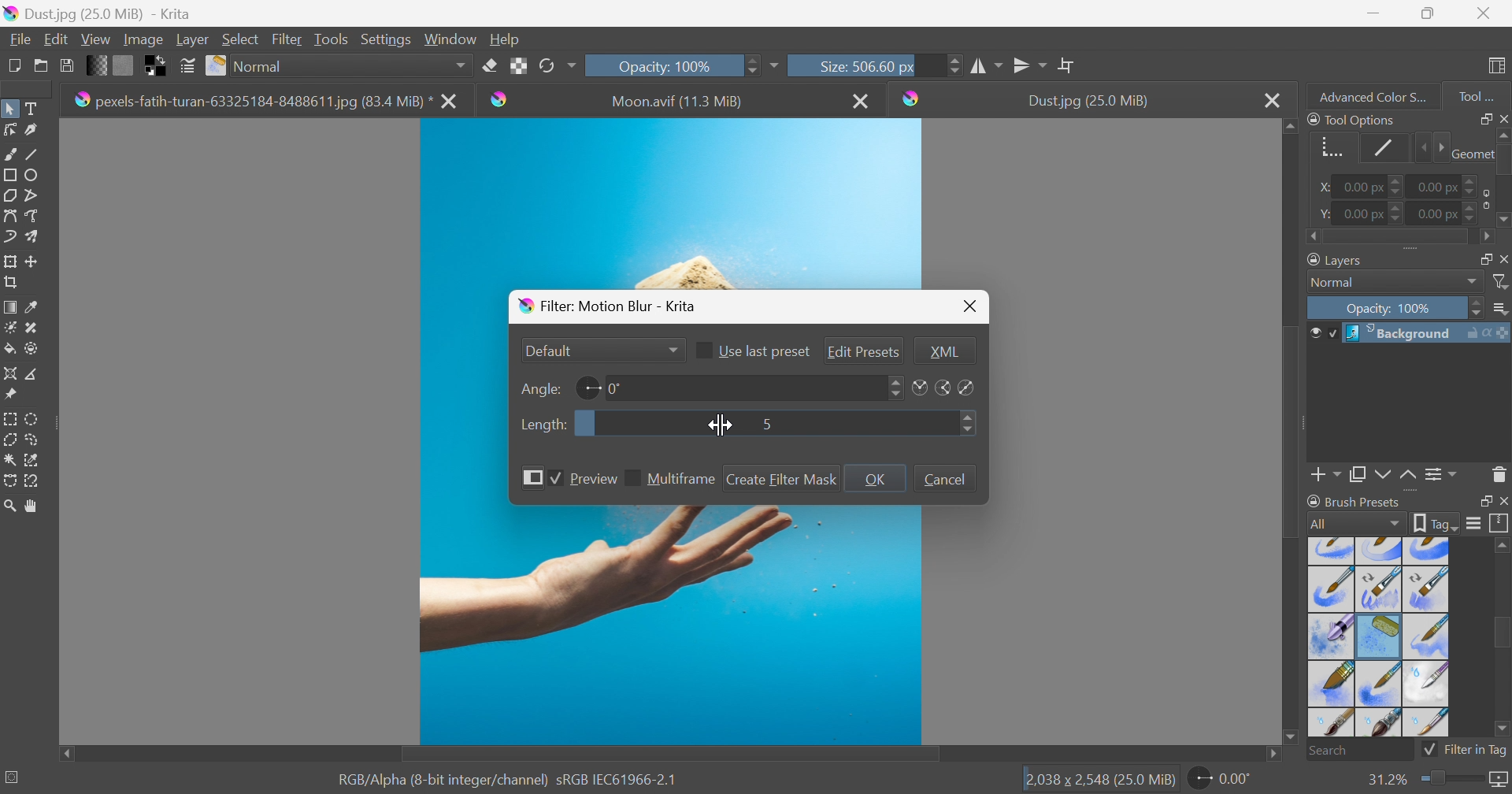 The width and height of the screenshot is (1512, 794). What do you see at coordinates (553, 479) in the screenshot?
I see `Checkbox` at bounding box center [553, 479].